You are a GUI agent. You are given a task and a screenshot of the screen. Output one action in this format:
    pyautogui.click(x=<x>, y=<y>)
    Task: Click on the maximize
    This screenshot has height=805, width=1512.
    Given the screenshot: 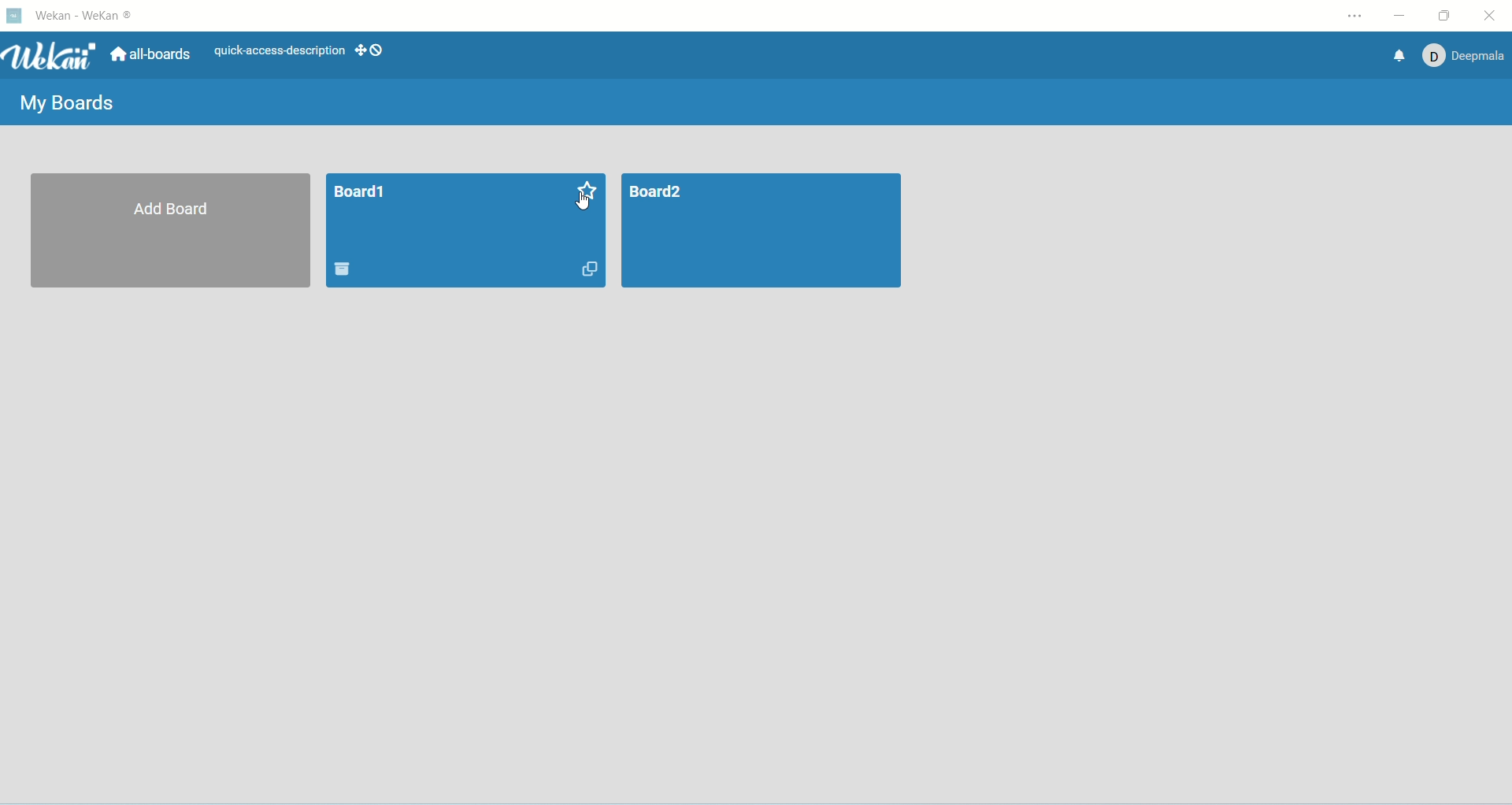 What is the action you would take?
    pyautogui.click(x=1449, y=16)
    